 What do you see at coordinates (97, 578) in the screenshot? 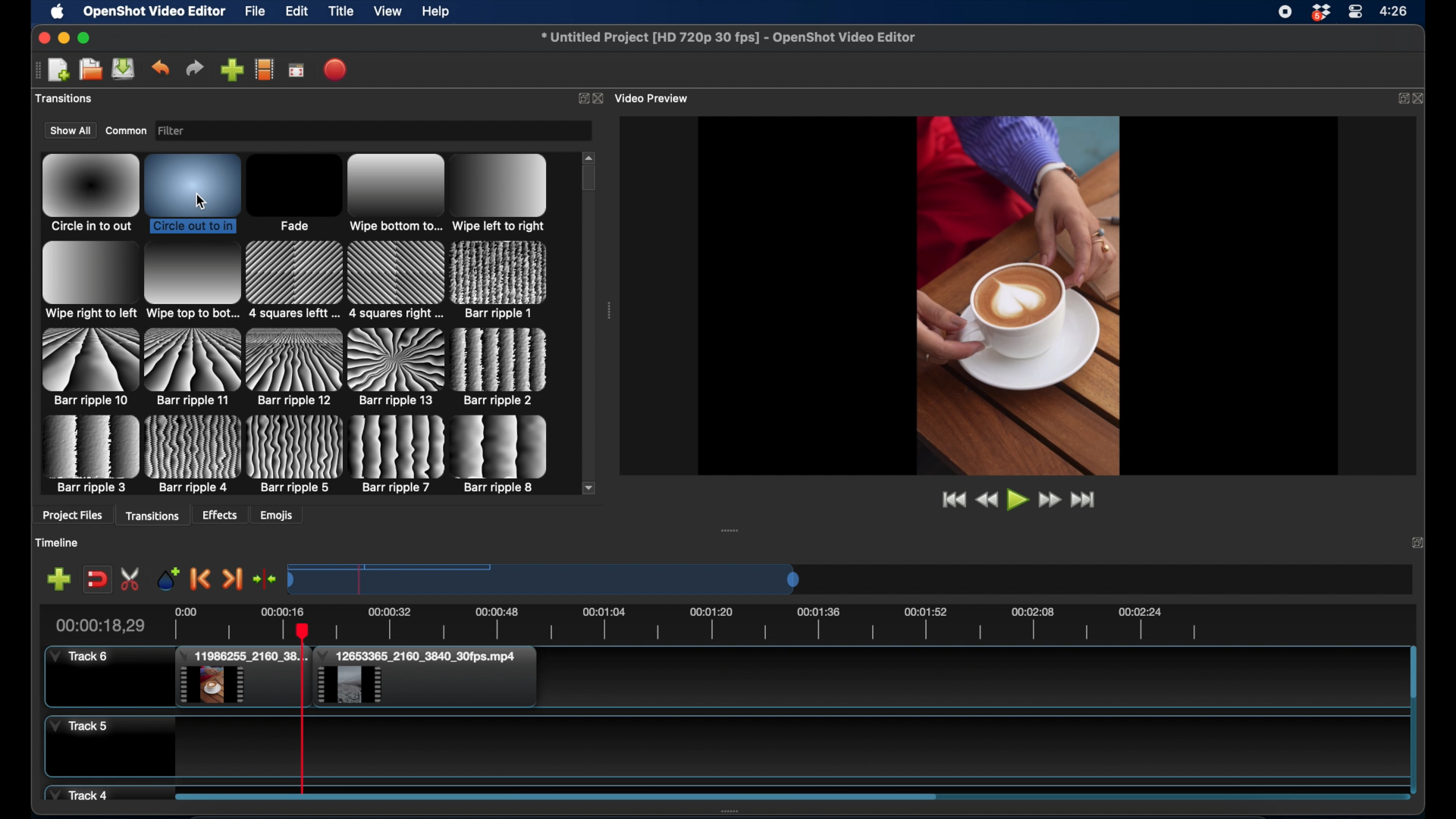
I see `disable snapping` at bounding box center [97, 578].